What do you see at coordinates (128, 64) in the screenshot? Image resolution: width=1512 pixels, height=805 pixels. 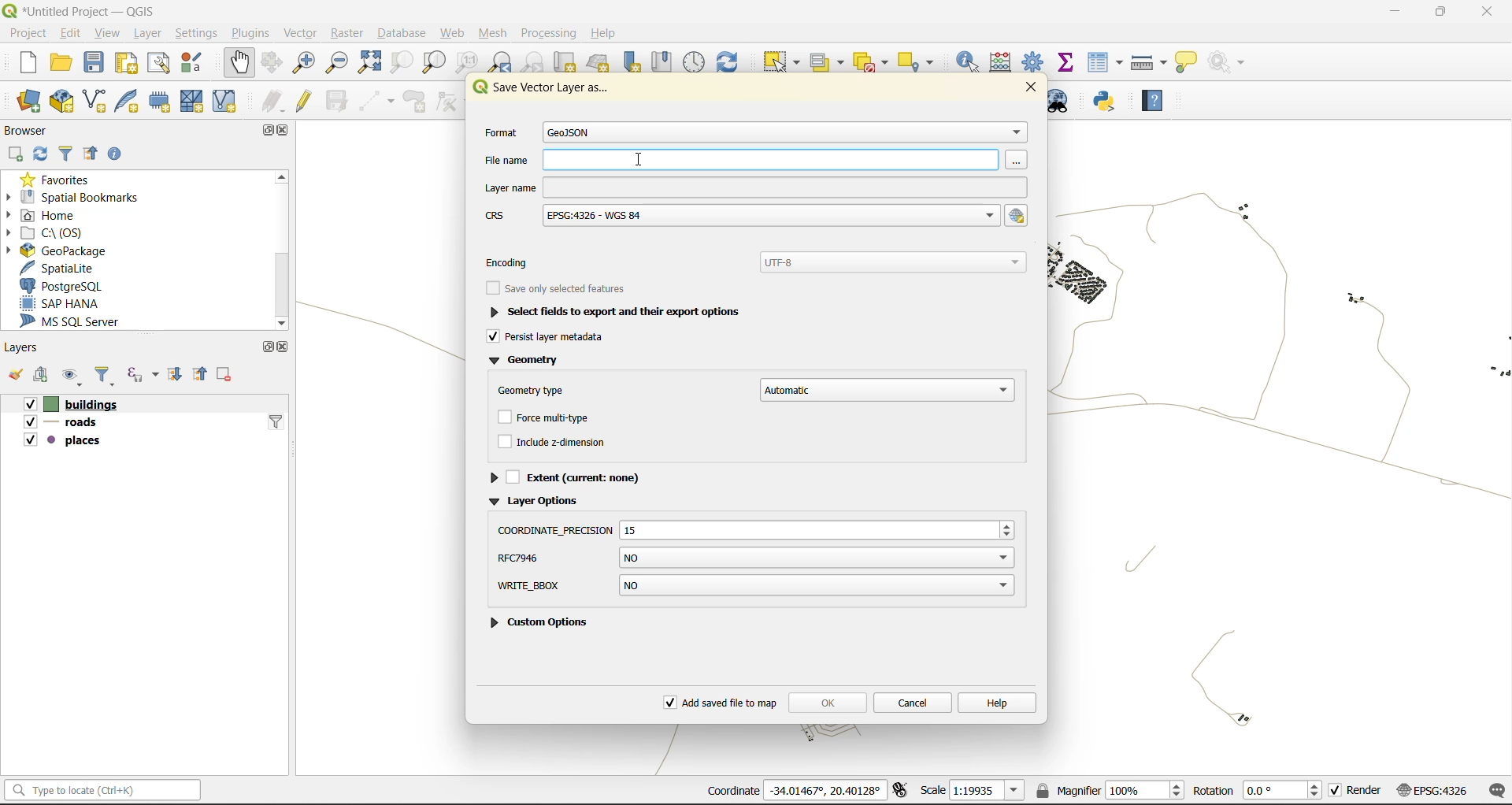 I see `print layout` at bounding box center [128, 64].